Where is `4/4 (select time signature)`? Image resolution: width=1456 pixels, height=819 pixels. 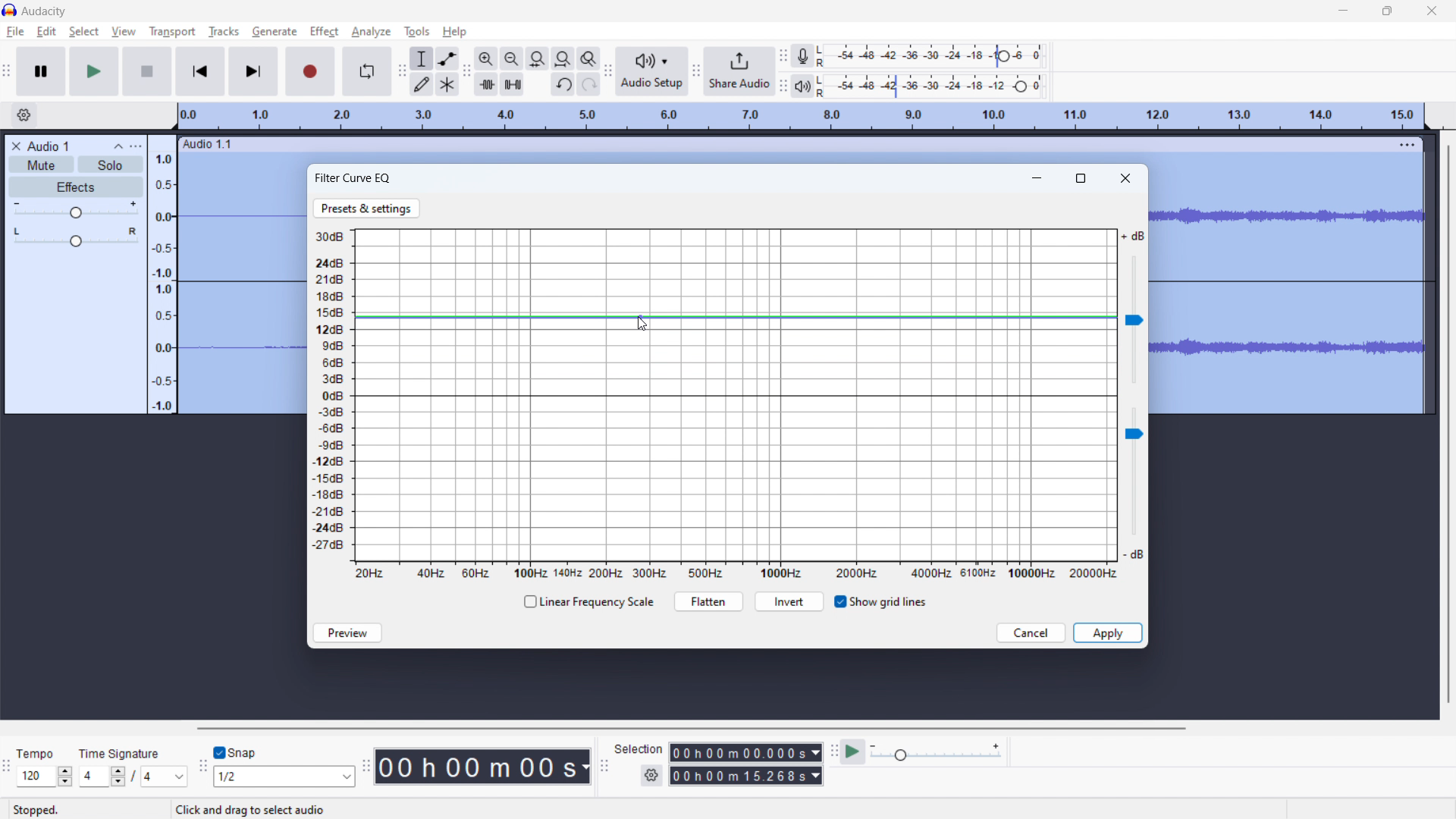
4/4 (select time signature) is located at coordinates (133, 776).